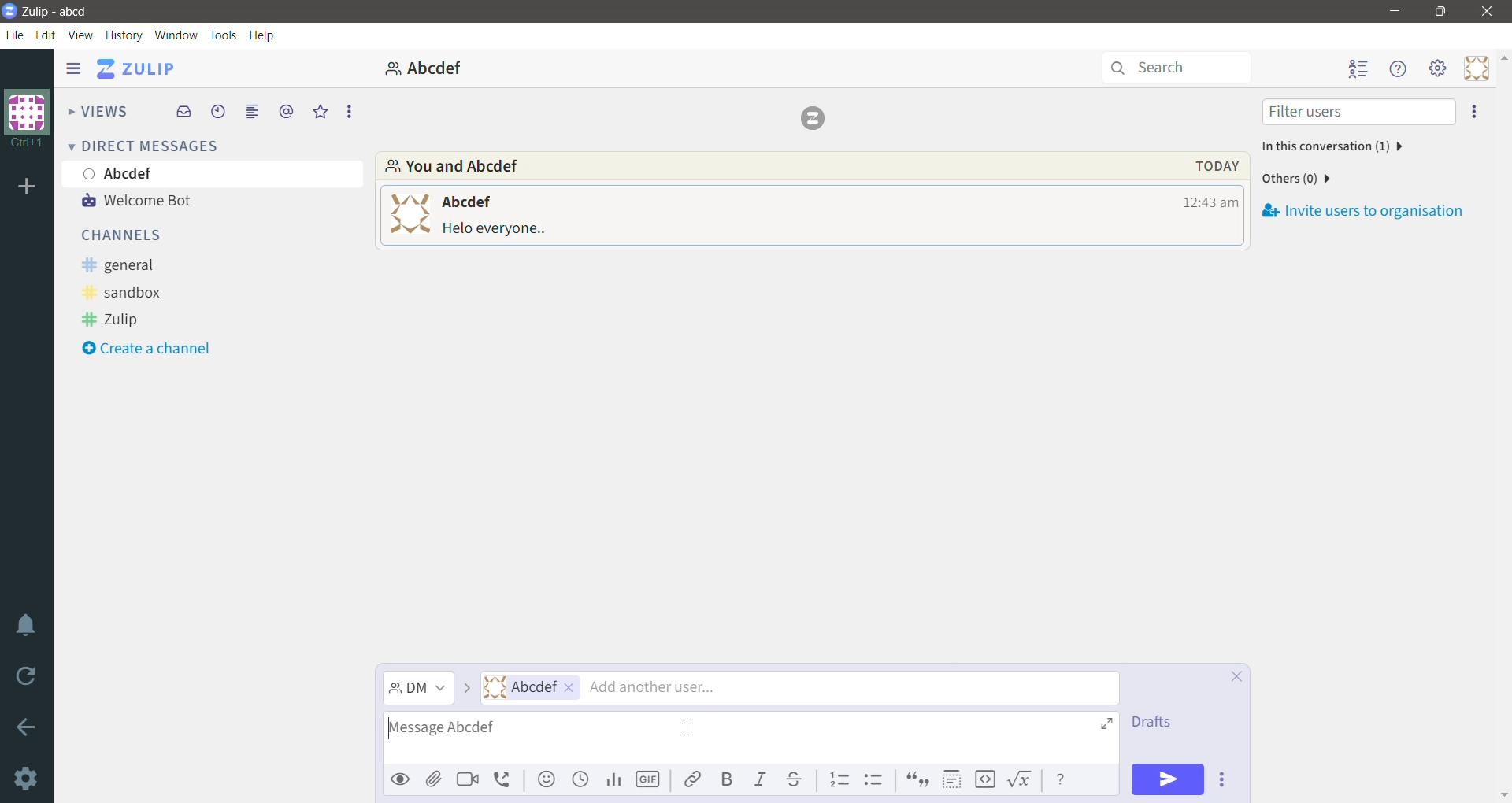 This screenshot has width=1512, height=803. Describe the element at coordinates (73, 68) in the screenshot. I see `Show/Hide left sidebar` at that location.